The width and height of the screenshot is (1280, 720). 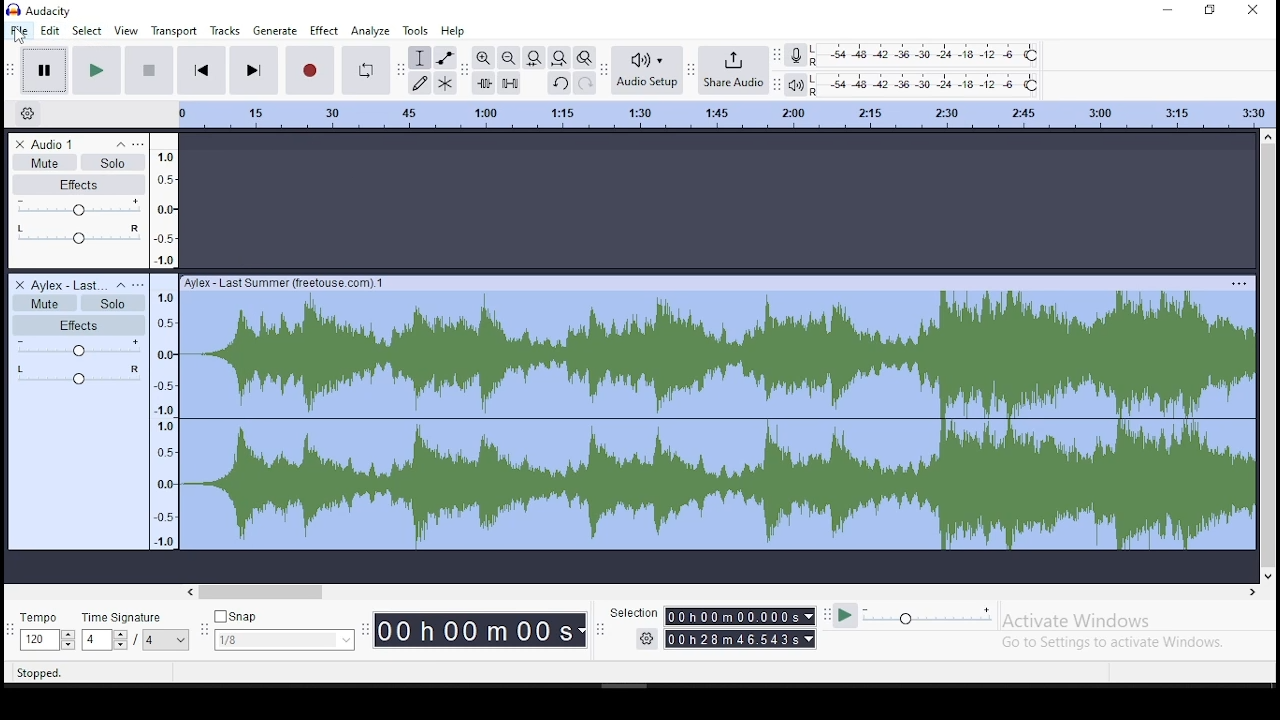 What do you see at coordinates (418, 30) in the screenshot?
I see `tools` at bounding box center [418, 30].